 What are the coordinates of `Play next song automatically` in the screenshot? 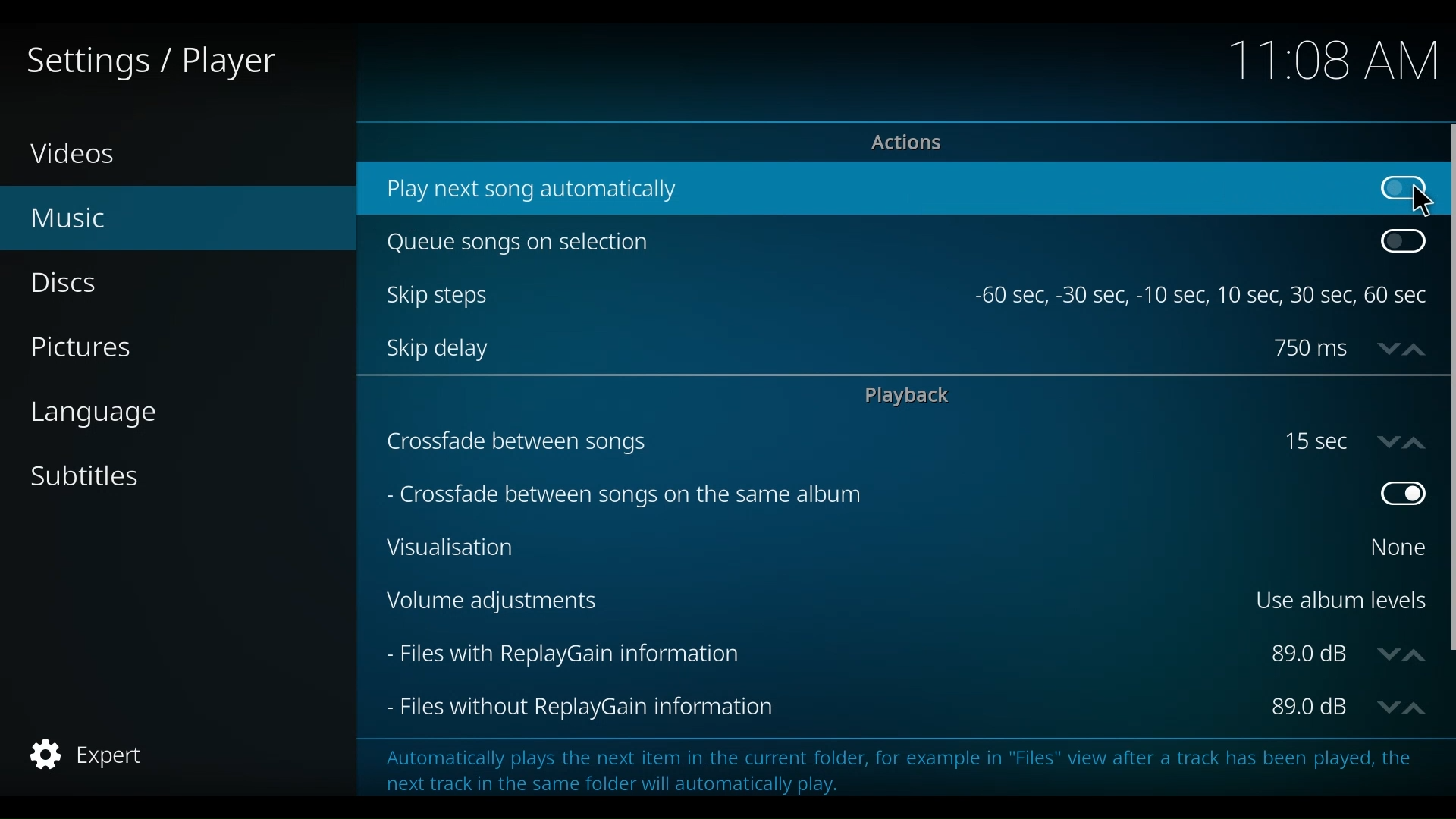 It's located at (856, 190).